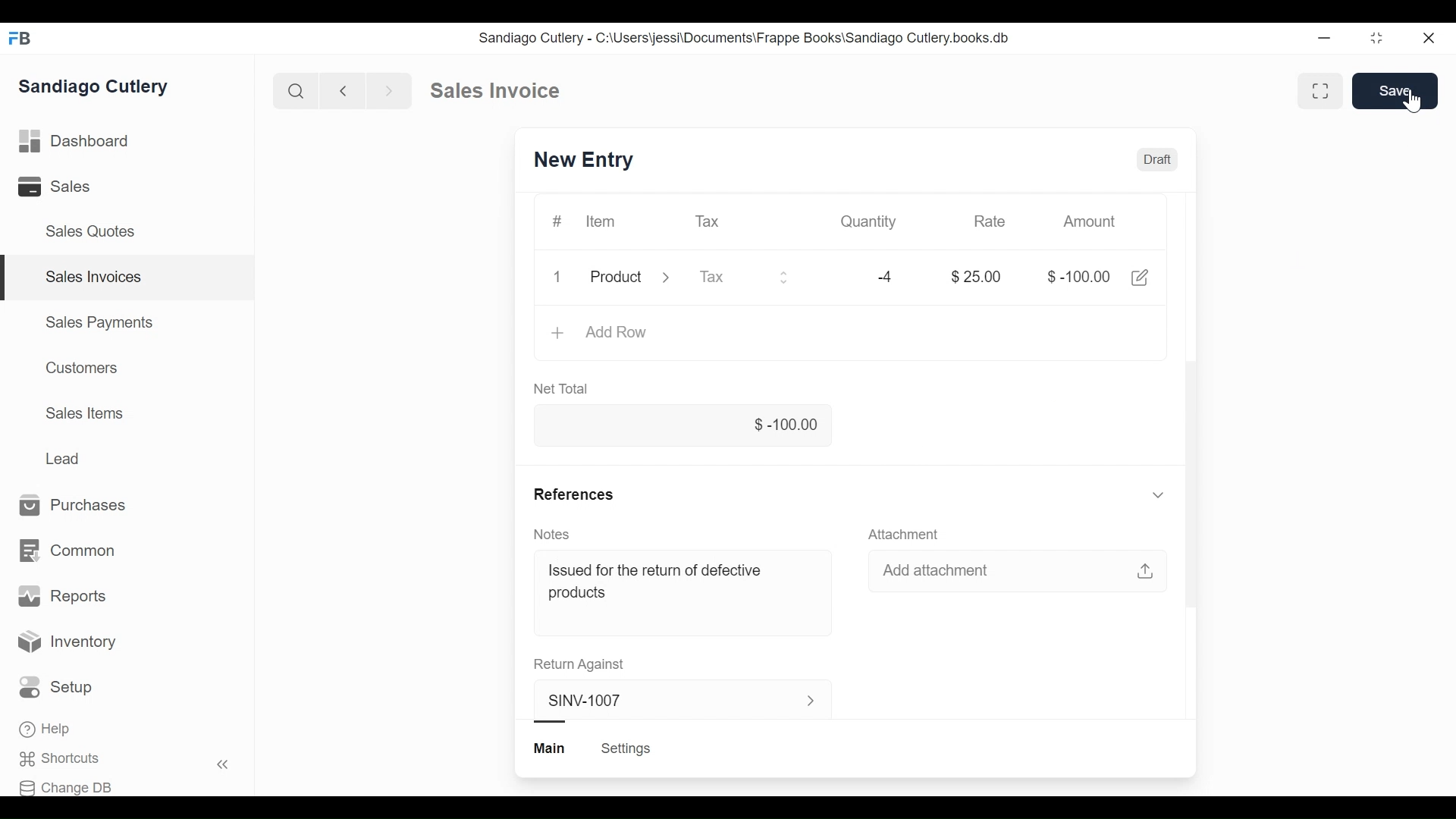 The width and height of the screenshot is (1456, 819). I want to click on FB, so click(23, 39).